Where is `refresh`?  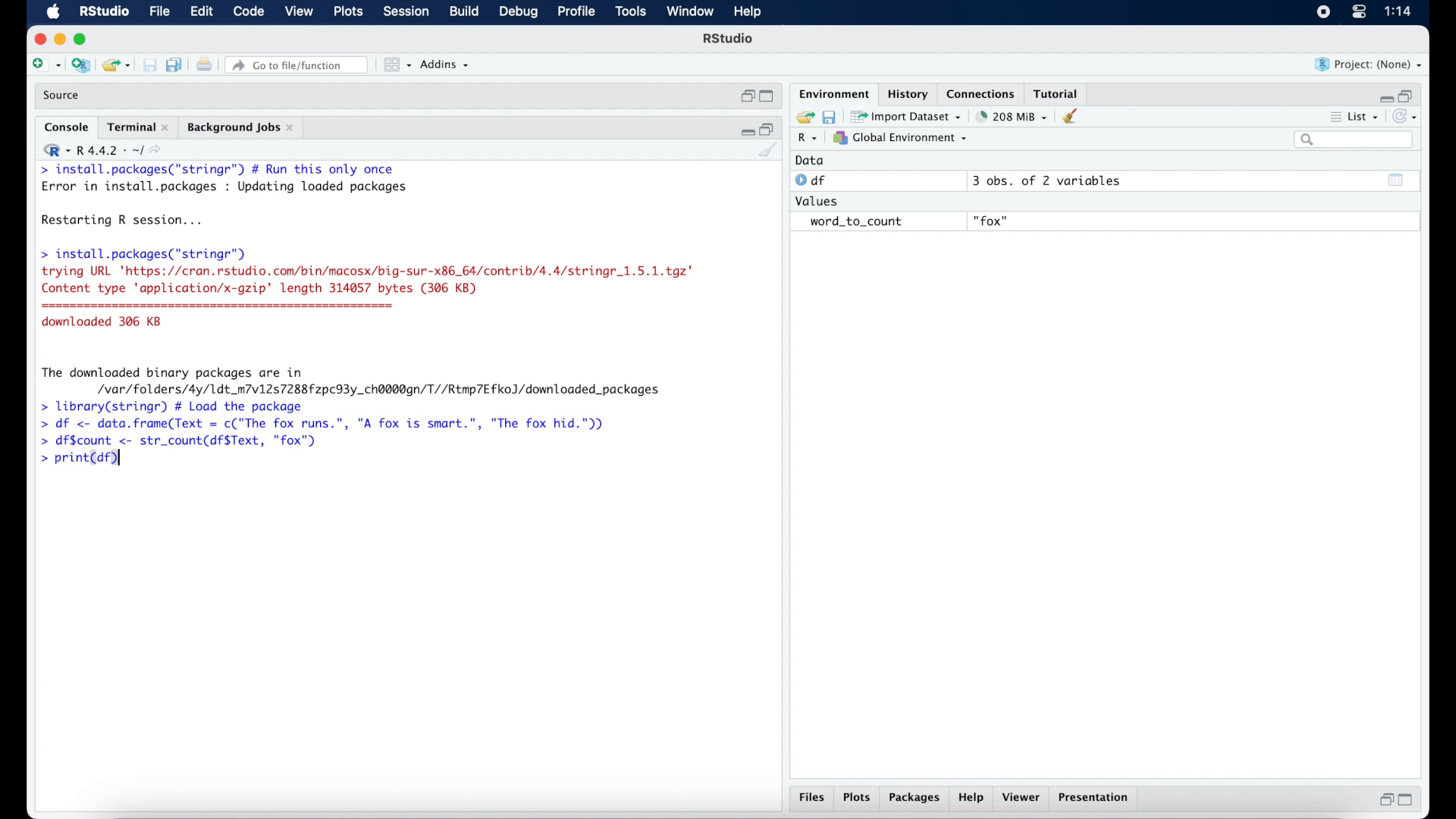
refresh is located at coordinates (1407, 117).